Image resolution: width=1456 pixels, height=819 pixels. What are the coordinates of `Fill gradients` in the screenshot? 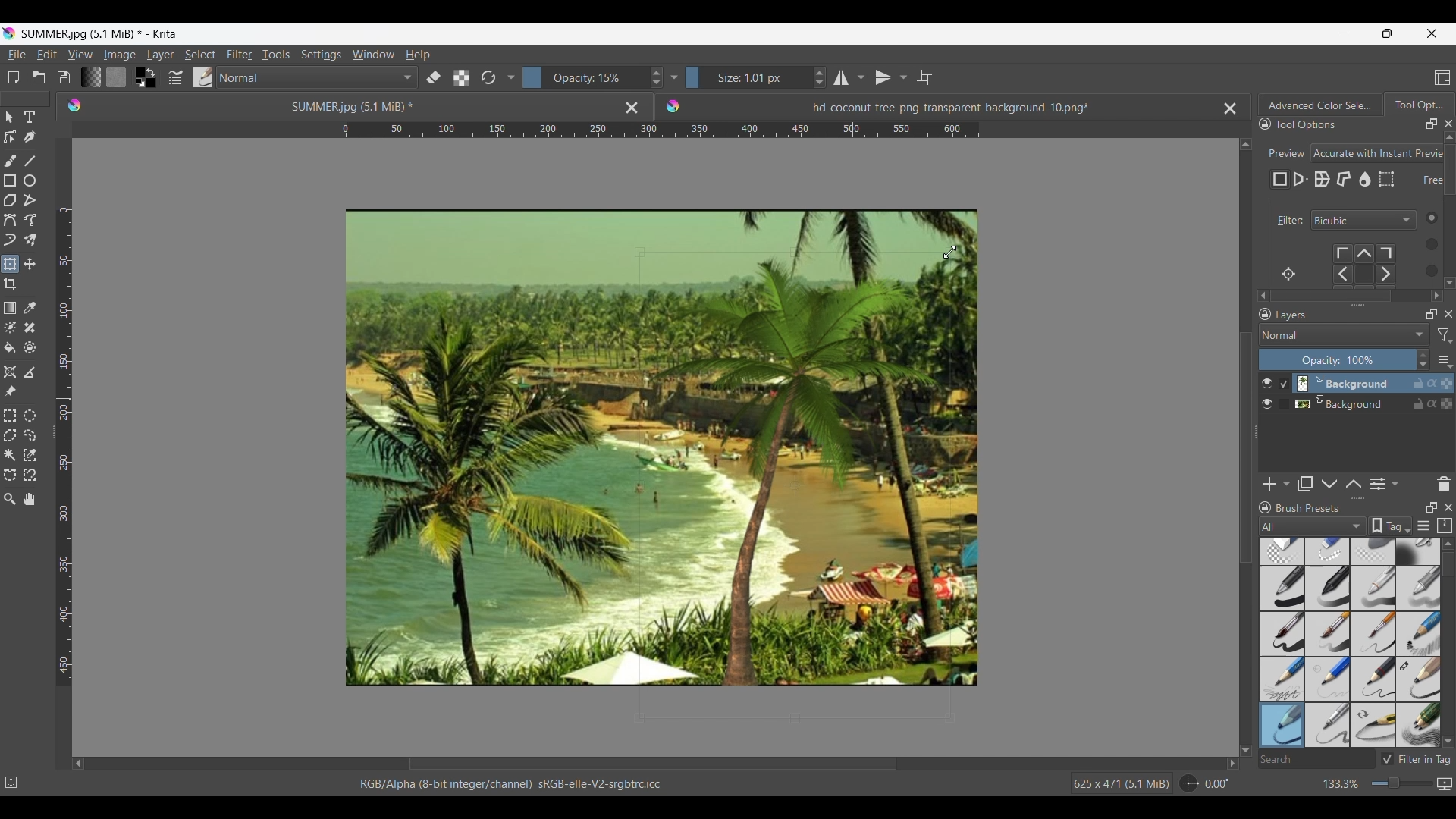 It's located at (90, 77).